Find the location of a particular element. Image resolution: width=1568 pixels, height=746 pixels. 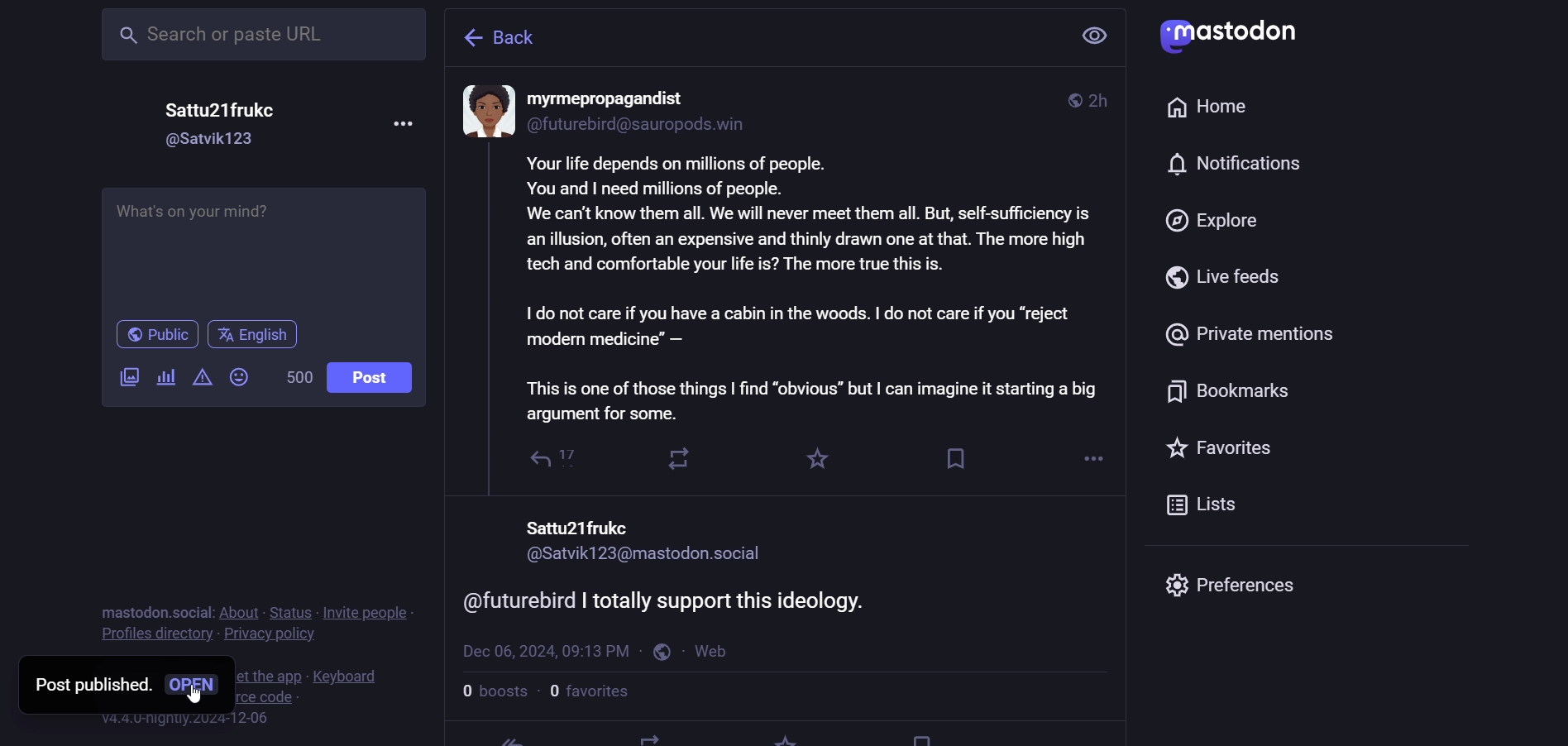

nam is located at coordinates (582, 526).